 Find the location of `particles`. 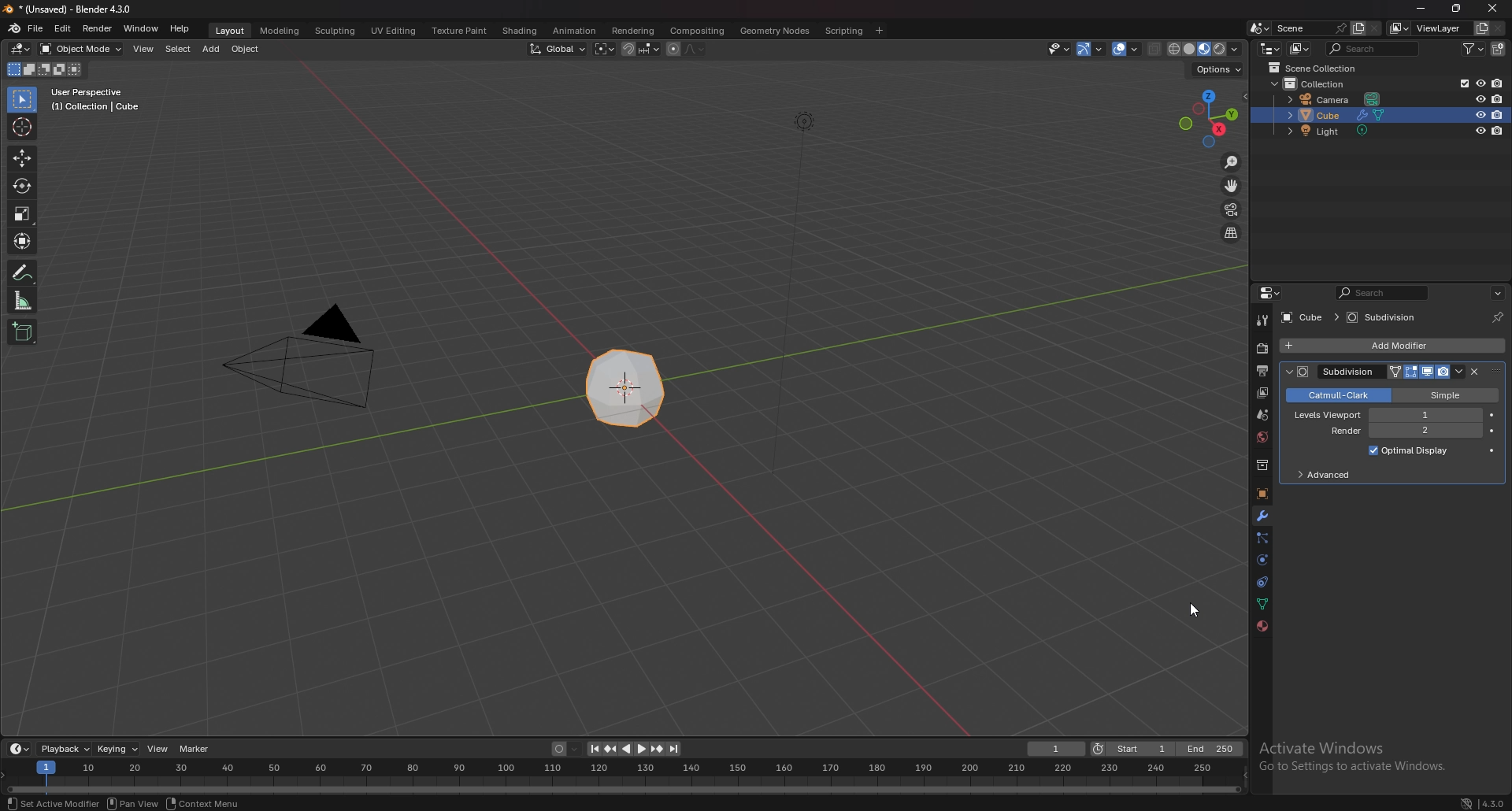

particles is located at coordinates (1262, 537).